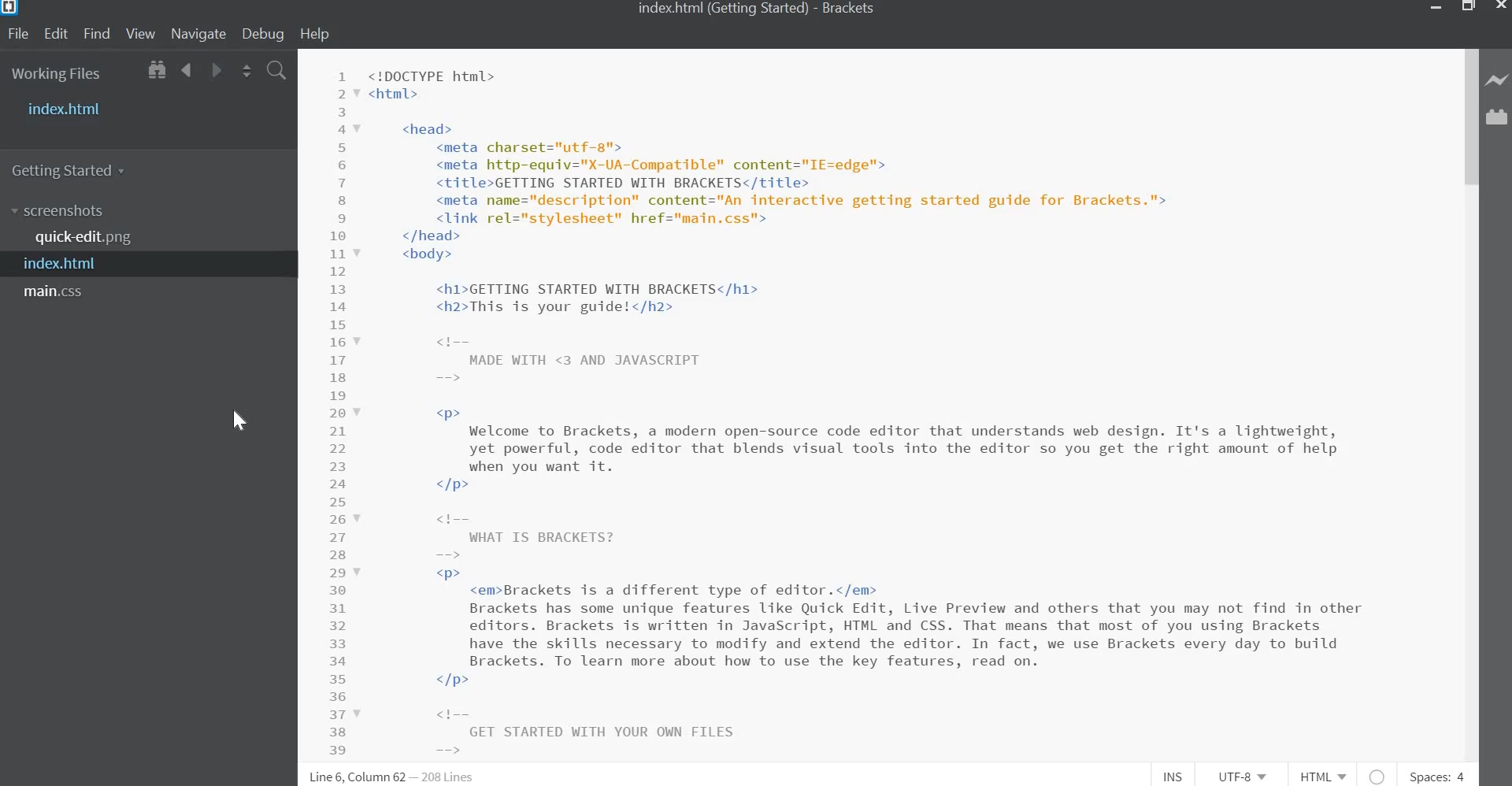  I want to click on Bracket Desktop icon, so click(11, 10).